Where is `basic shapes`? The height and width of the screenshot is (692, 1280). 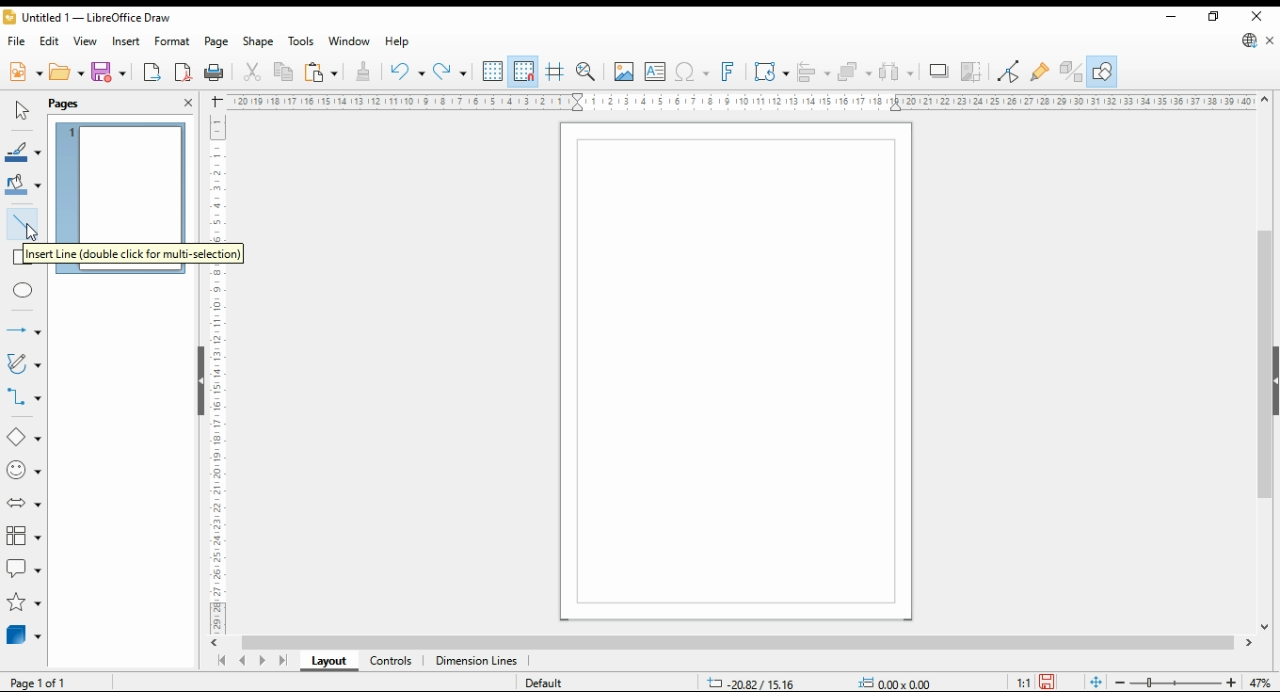 basic shapes is located at coordinates (22, 437).